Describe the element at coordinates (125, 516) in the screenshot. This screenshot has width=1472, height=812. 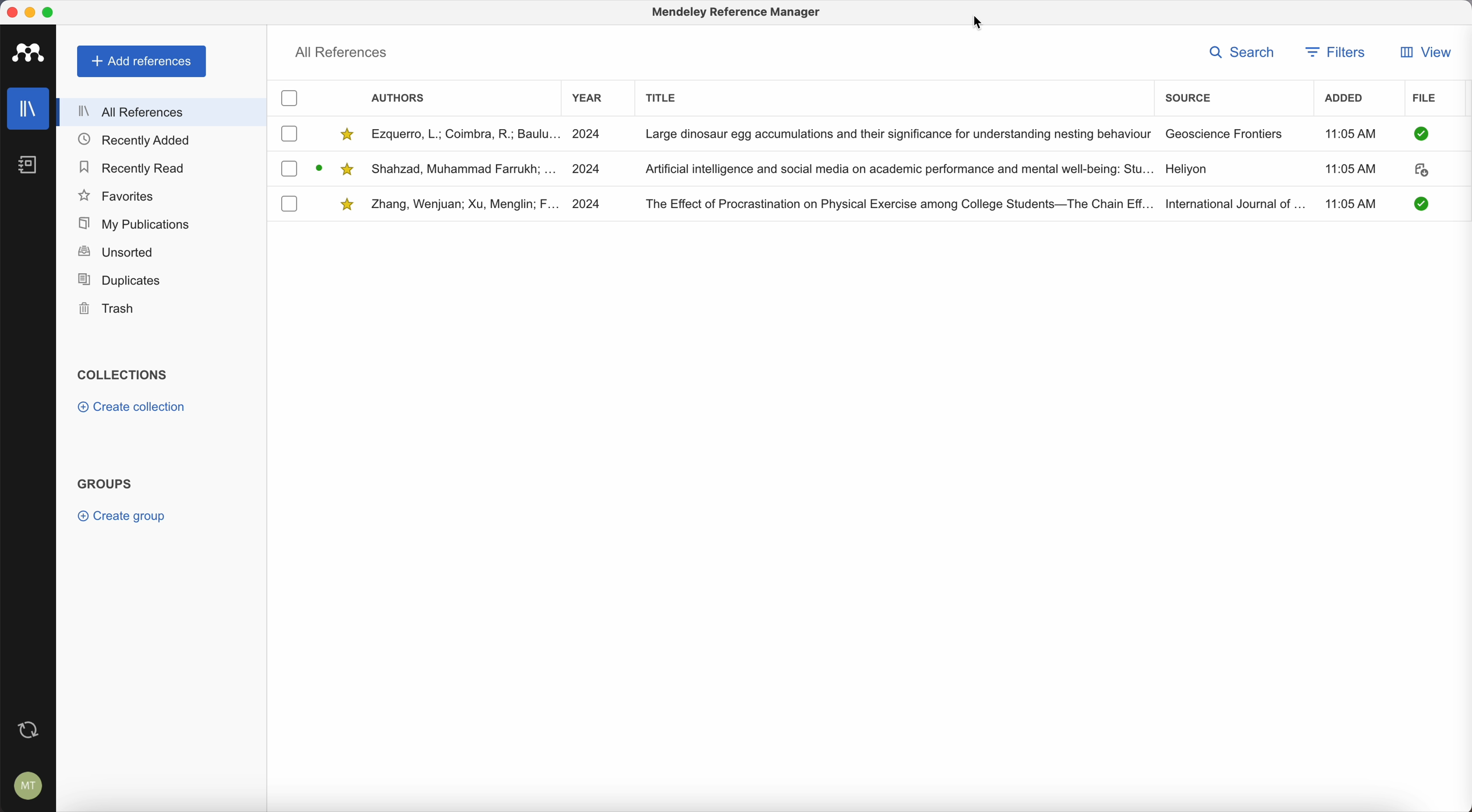
I see `create group` at that location.